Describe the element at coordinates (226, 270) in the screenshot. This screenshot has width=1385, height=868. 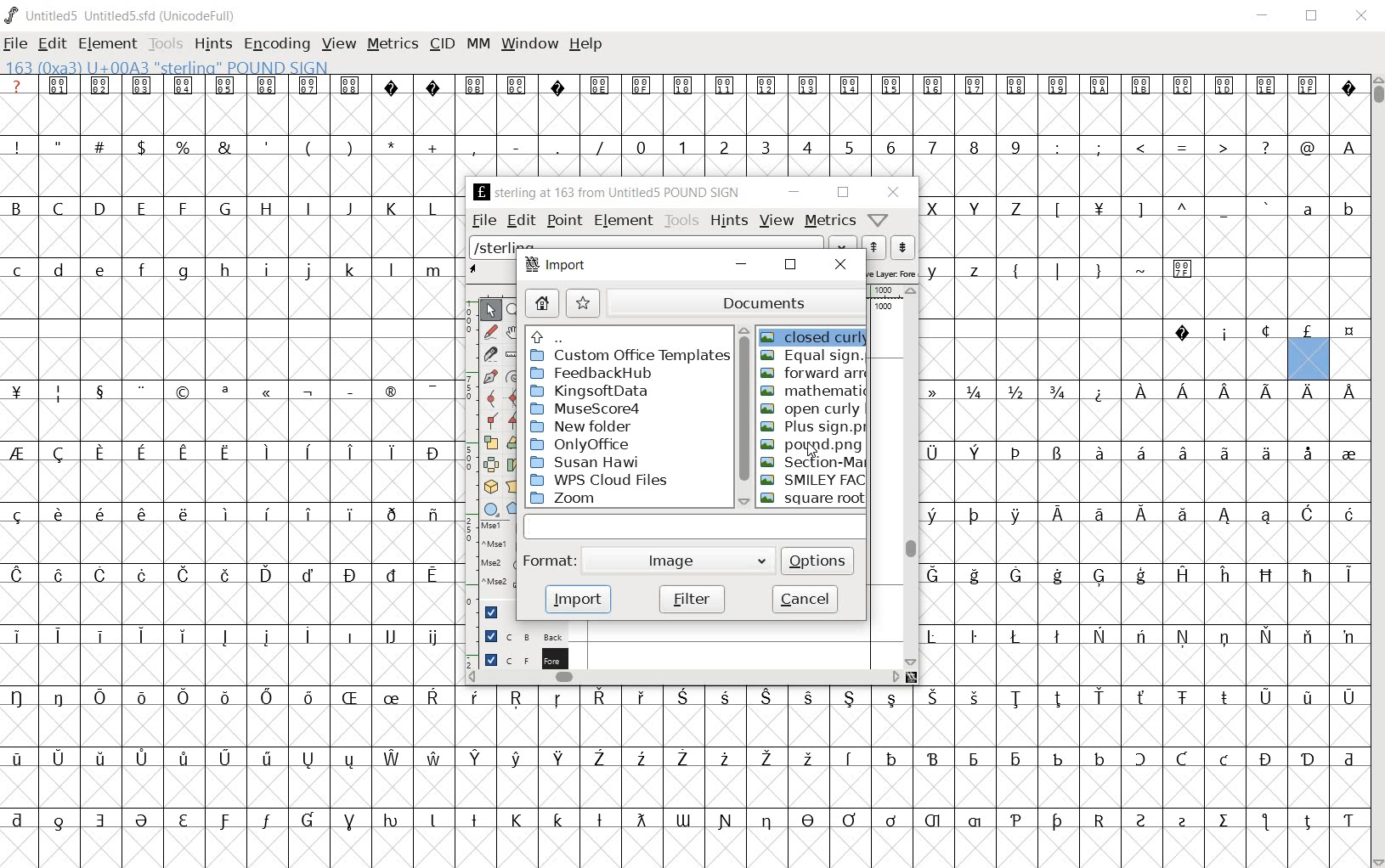
I see `h` at that location.